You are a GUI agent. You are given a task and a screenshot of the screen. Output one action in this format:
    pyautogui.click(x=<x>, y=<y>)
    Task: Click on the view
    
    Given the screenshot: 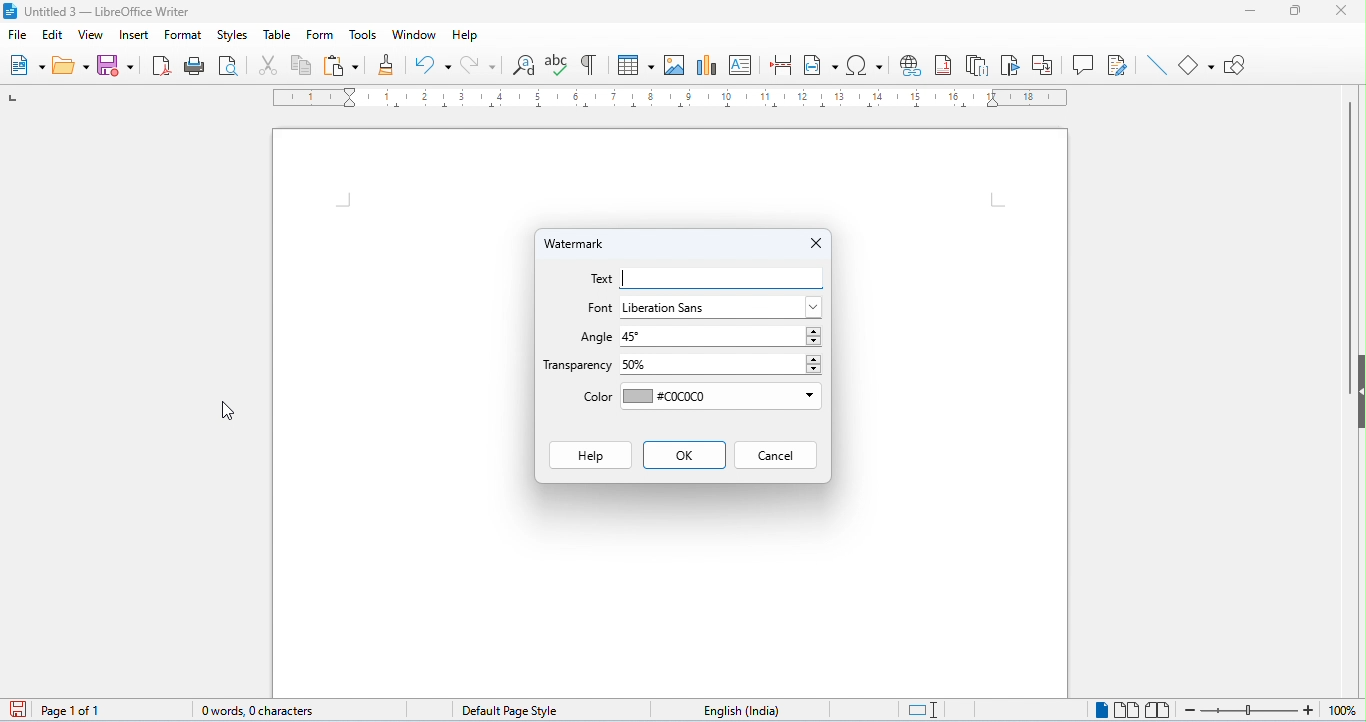 What is the action you would take?
    pyautogui.click(x=91, y=36)
    